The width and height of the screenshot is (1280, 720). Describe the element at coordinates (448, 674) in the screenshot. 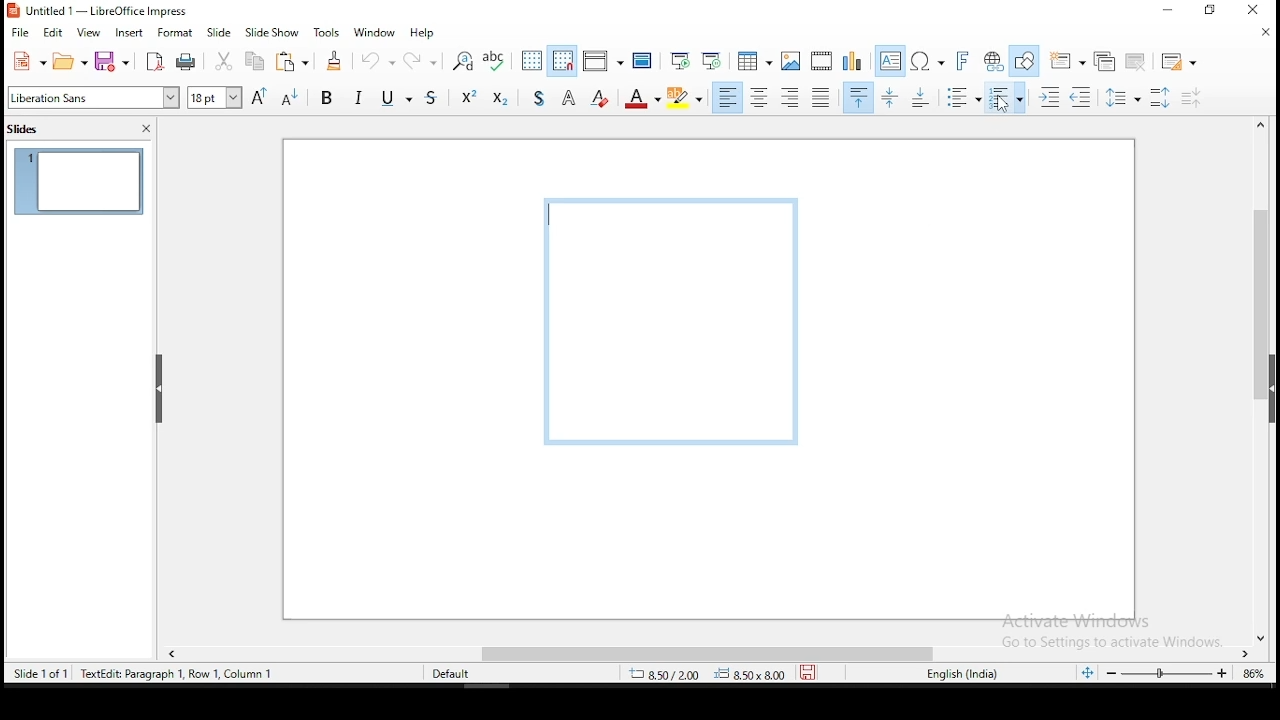

I see `default` at that location.